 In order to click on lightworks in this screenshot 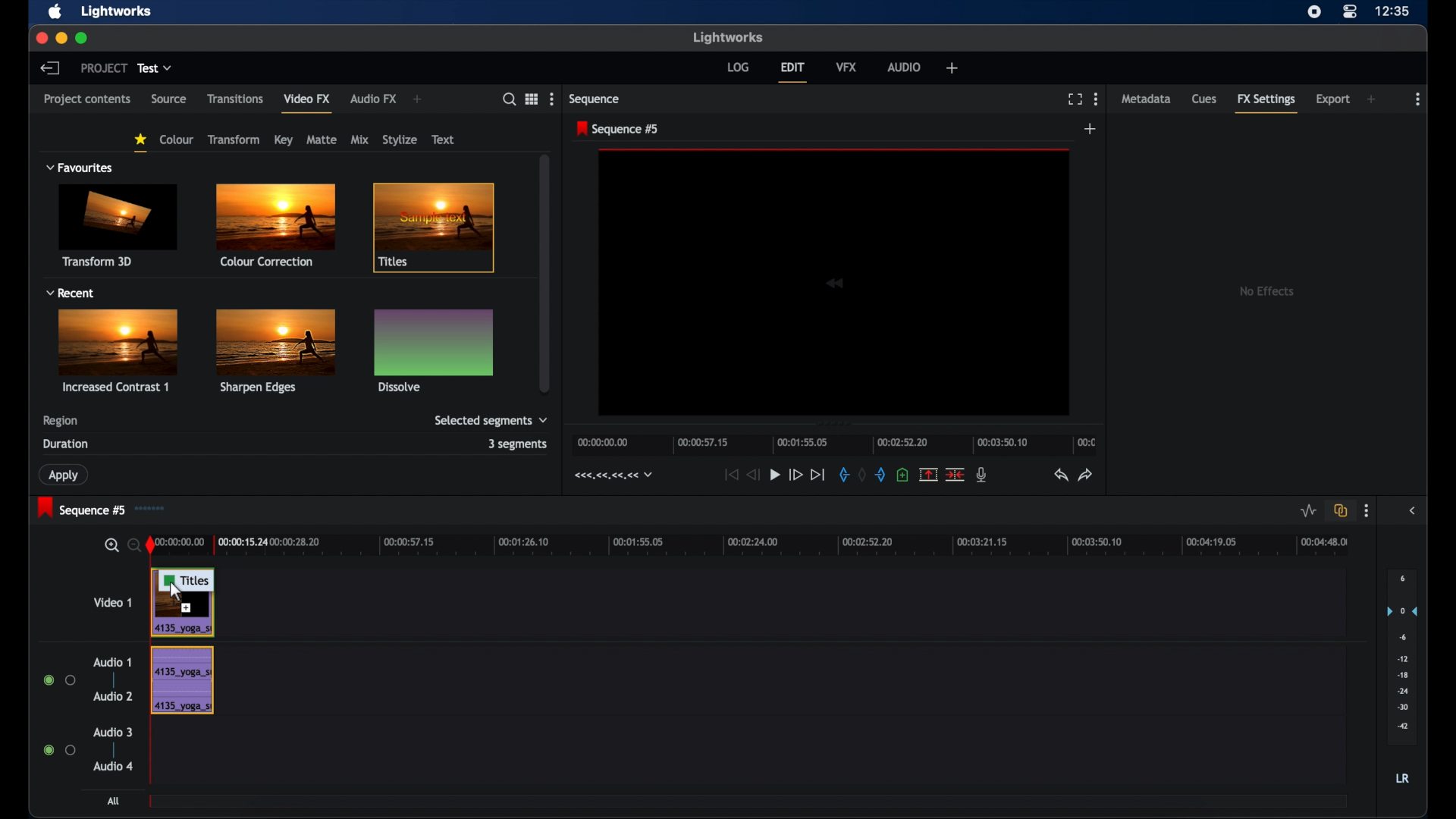, I will do `click(727, 37)`.